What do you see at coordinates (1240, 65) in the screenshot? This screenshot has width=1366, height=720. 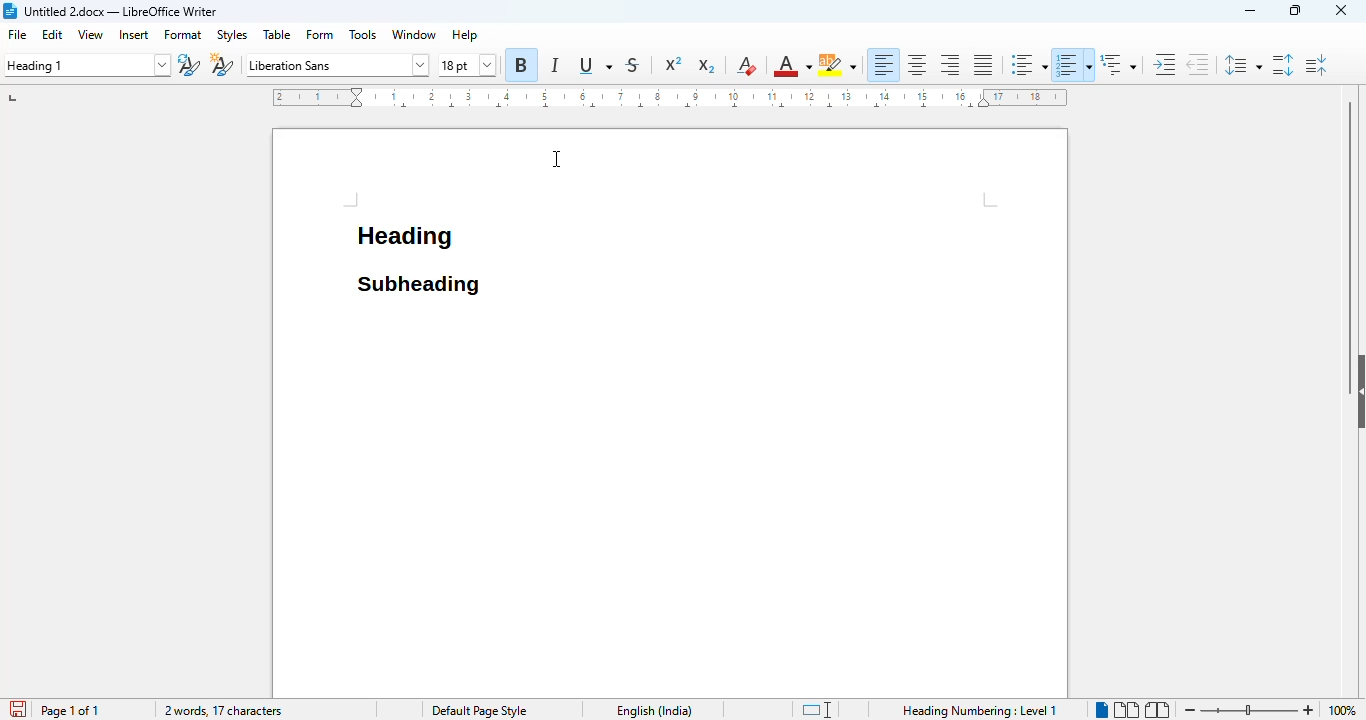 I see `set line spacing` at bounding box center [1240, 65].